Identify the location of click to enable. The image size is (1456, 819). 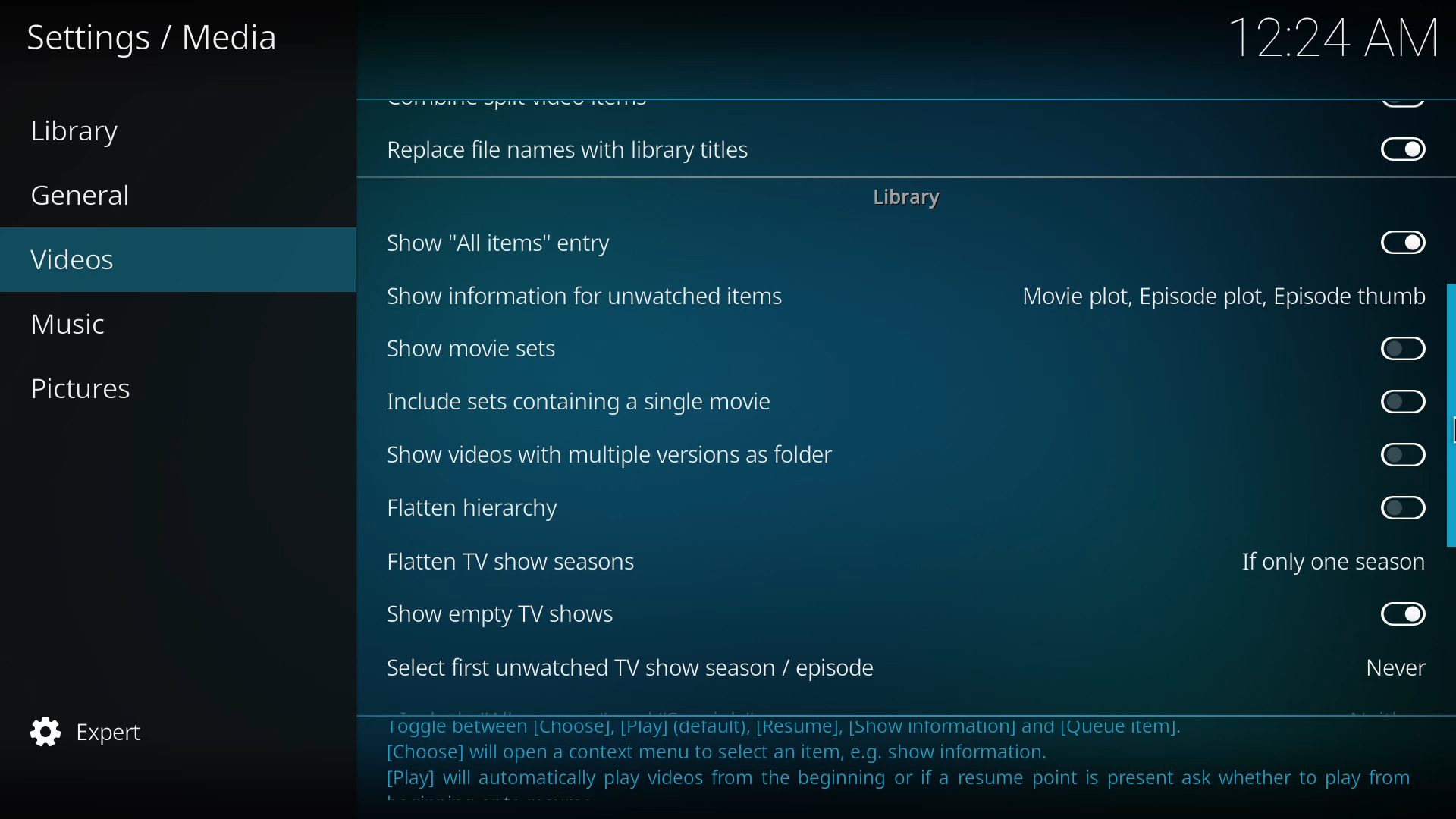
(1399, 508).